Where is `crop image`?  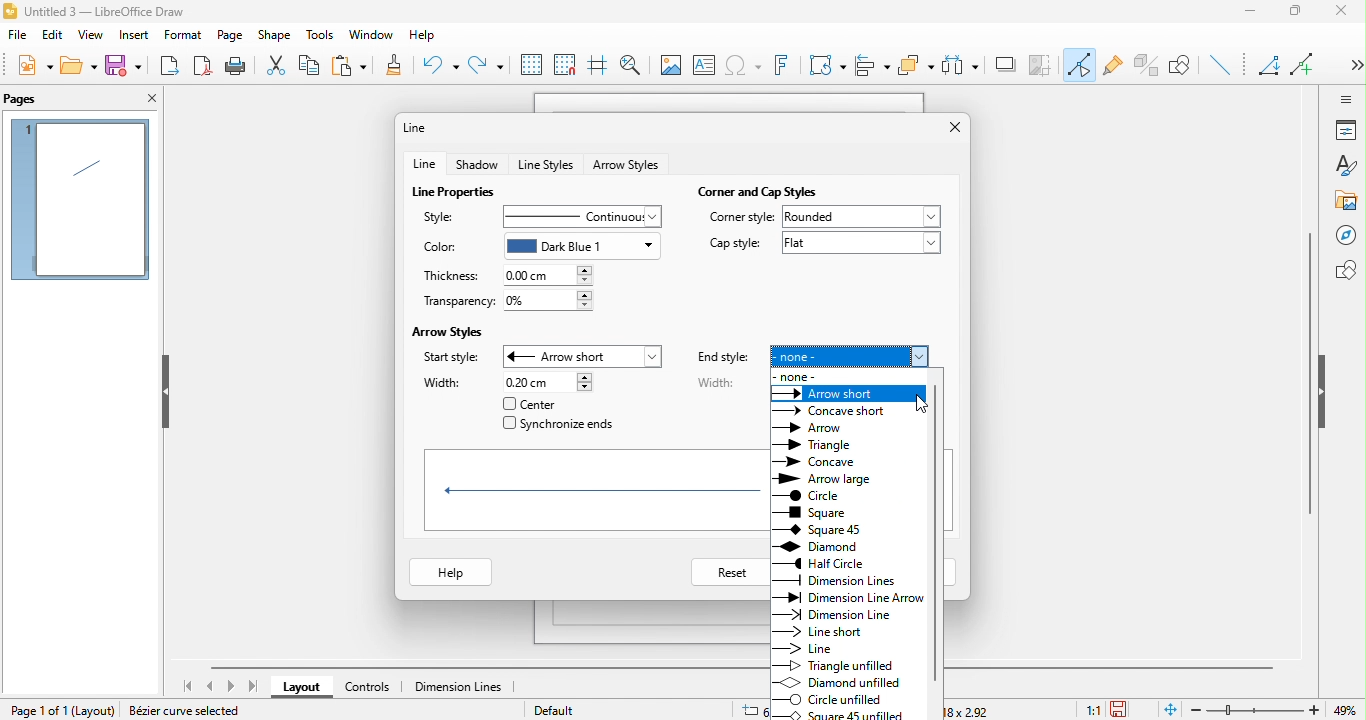
crop image is located at coordinates (1043, 63).